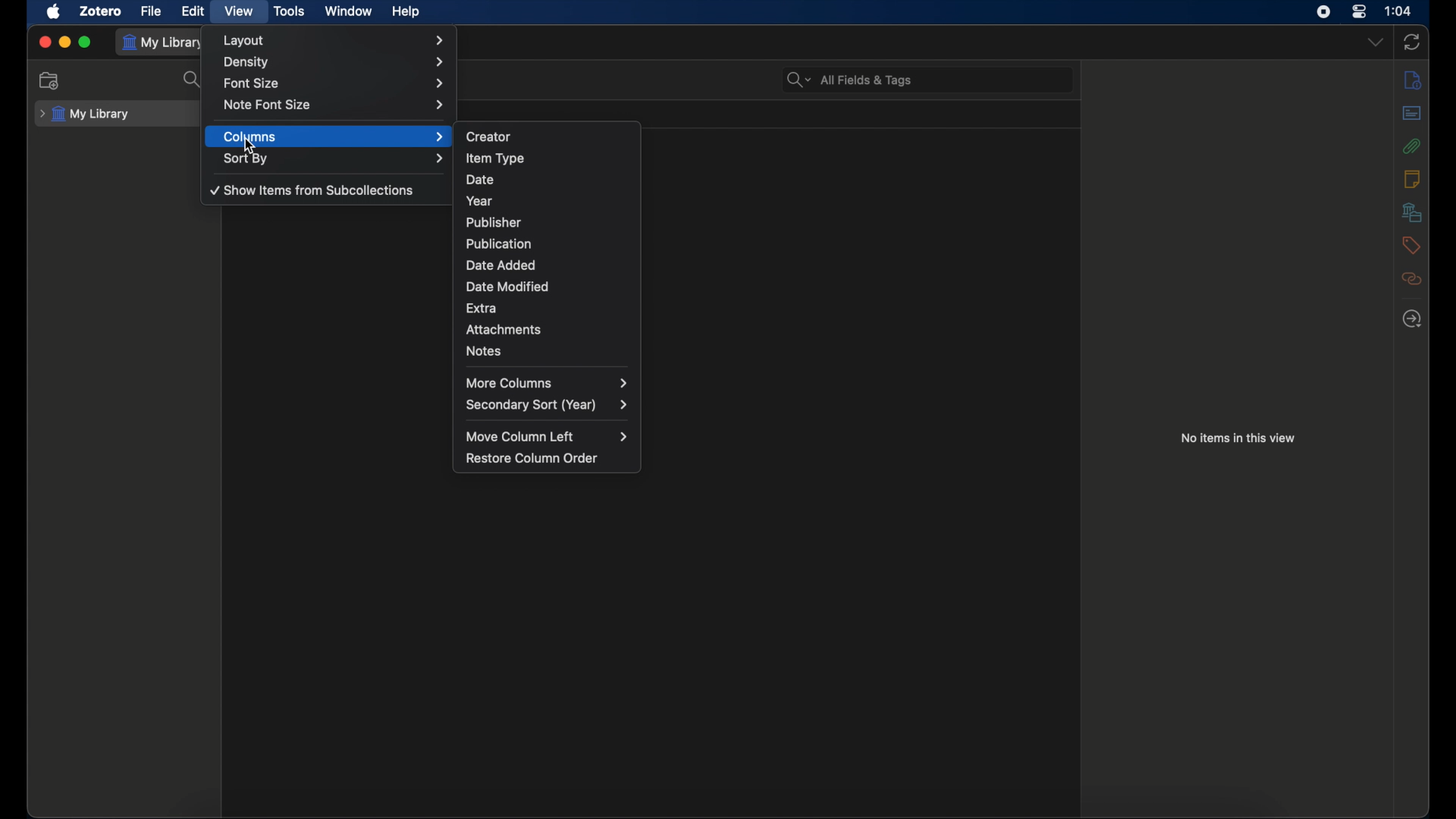 The width and height of the screenshot is (1456, 819). I want to click on attachments, so click(1412, 146).